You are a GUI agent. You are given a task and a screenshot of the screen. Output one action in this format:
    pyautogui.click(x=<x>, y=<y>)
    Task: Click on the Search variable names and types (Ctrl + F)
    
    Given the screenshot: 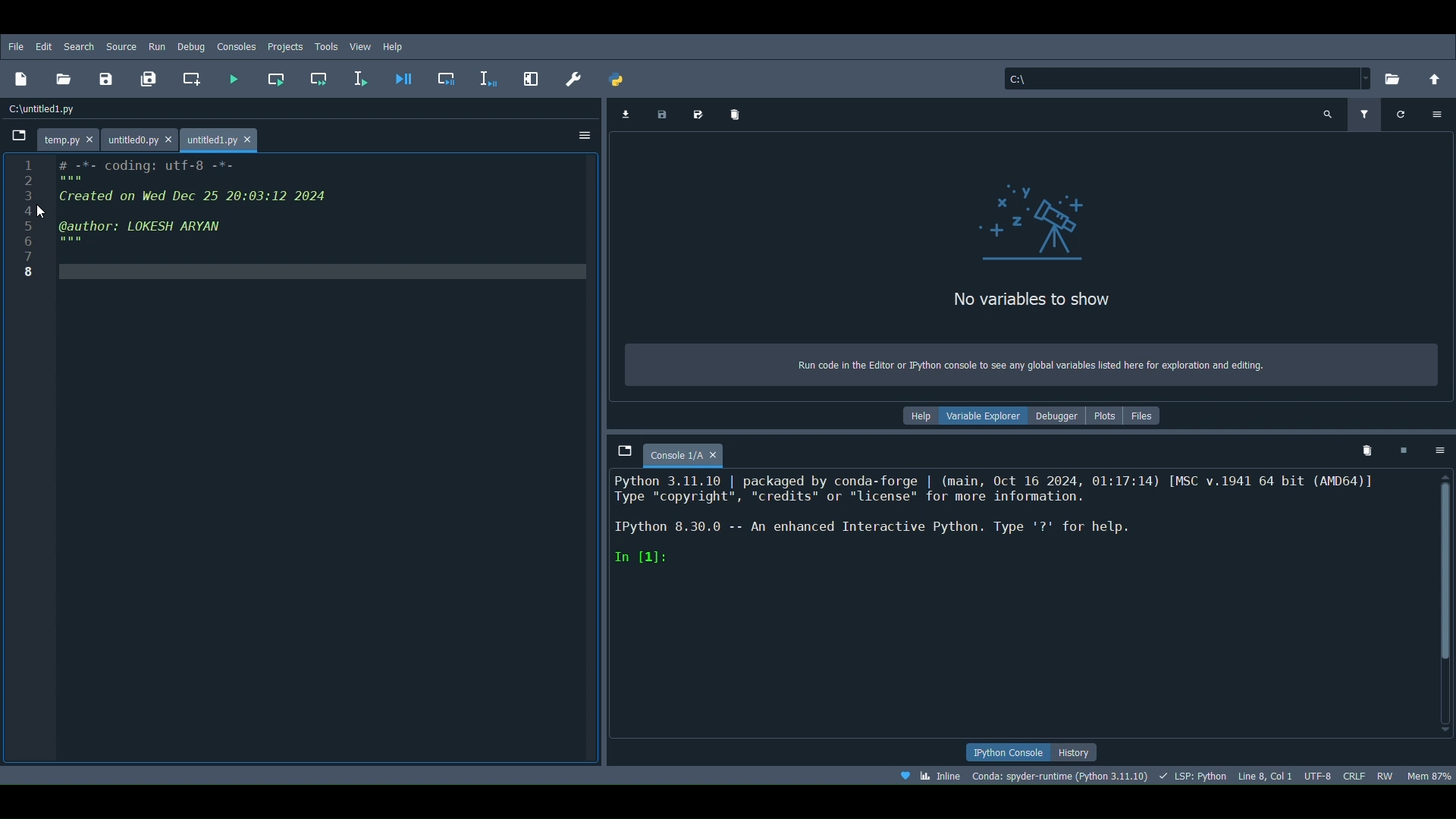 What is the action you would take?
    pyautogui.click(x=1329, y=114)
    